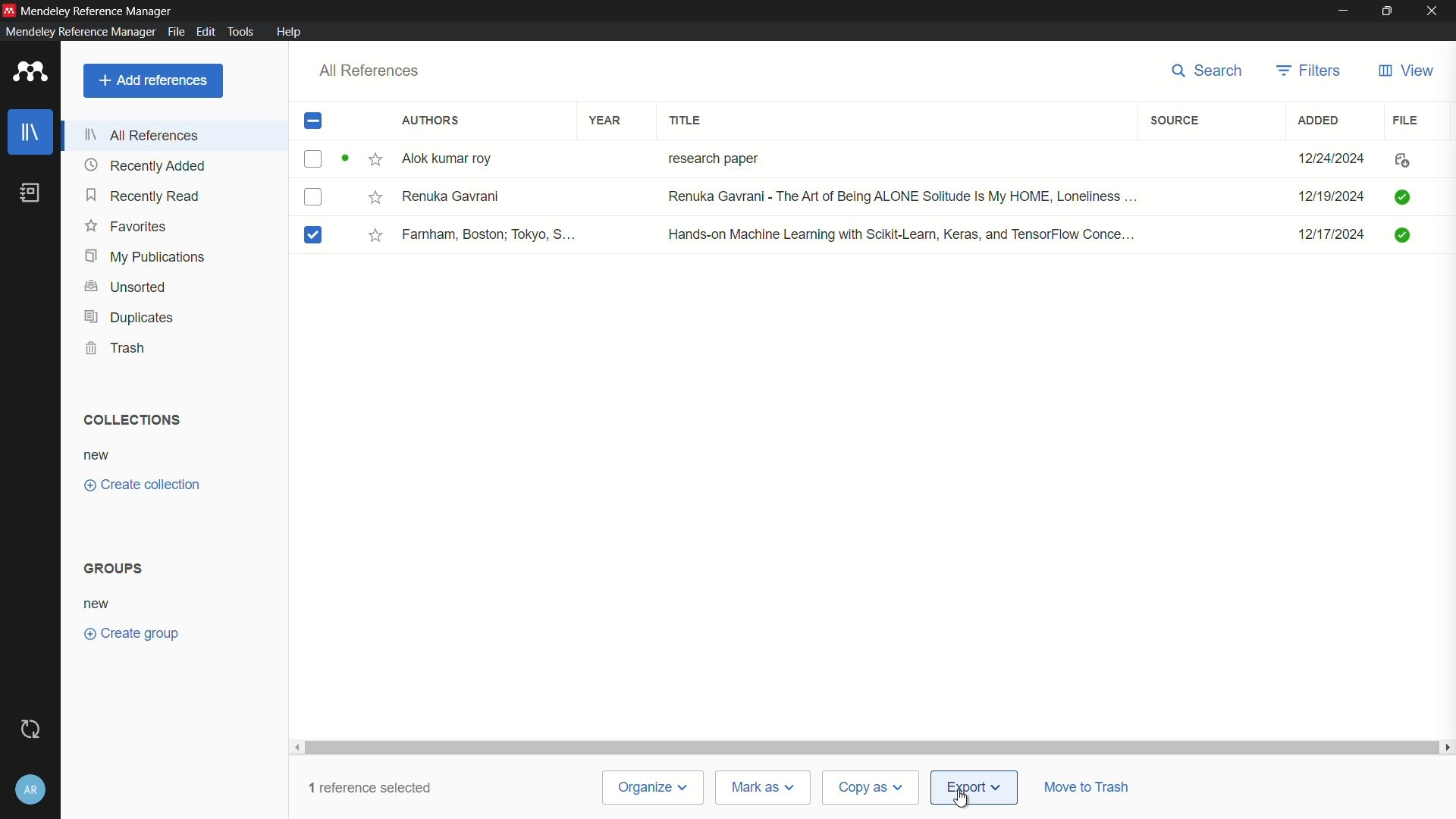 This screenshot has width=1456, height=819. I want to click on mark as, so click(764, 788).